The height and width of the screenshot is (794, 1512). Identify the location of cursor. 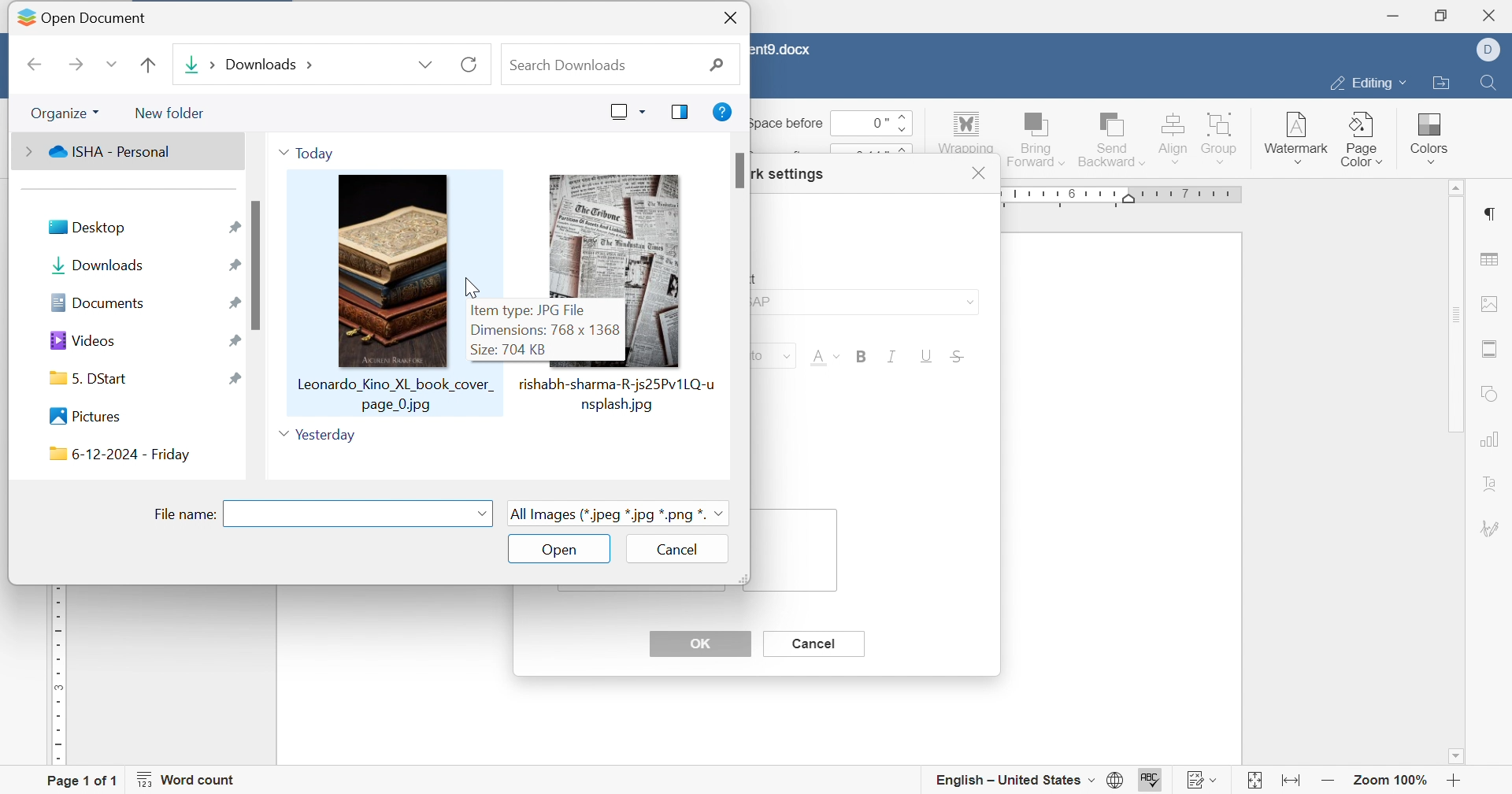
(472, 291).